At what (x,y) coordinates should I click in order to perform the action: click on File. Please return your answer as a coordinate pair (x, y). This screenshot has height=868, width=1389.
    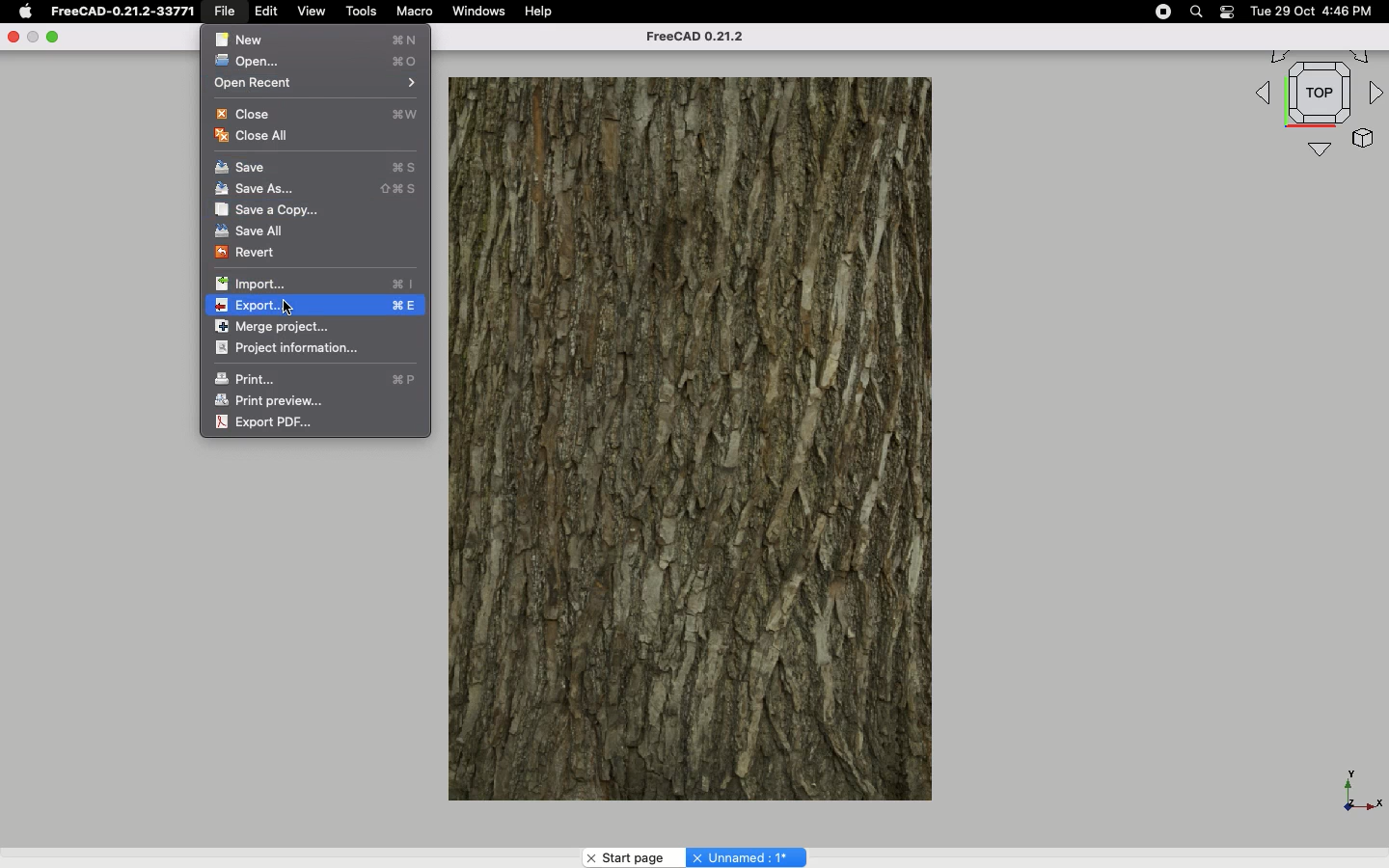
    Looking at the image, I should click on (225, 12).